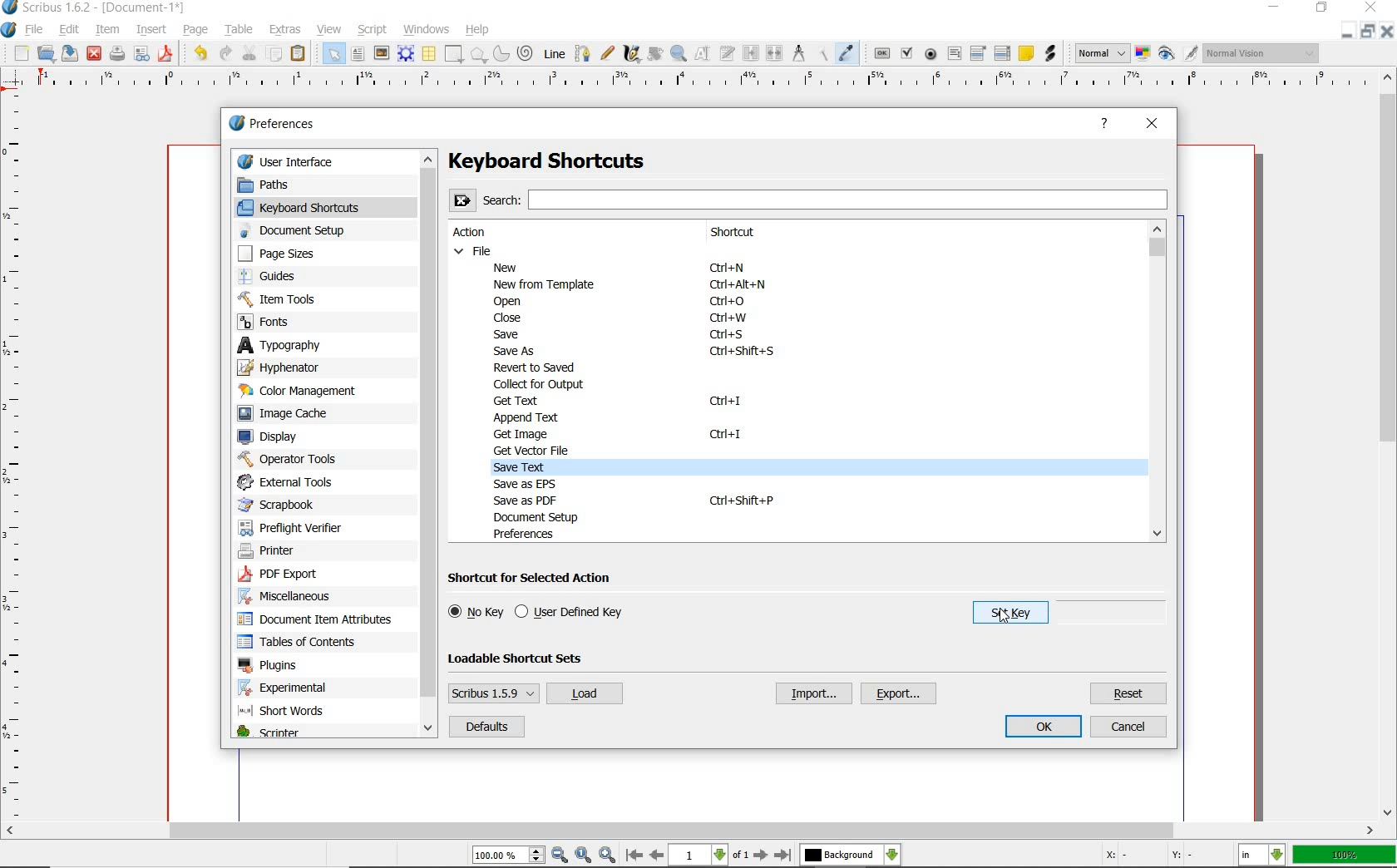  I want to click on Ctrl + Alt + N, so click(738, 287).